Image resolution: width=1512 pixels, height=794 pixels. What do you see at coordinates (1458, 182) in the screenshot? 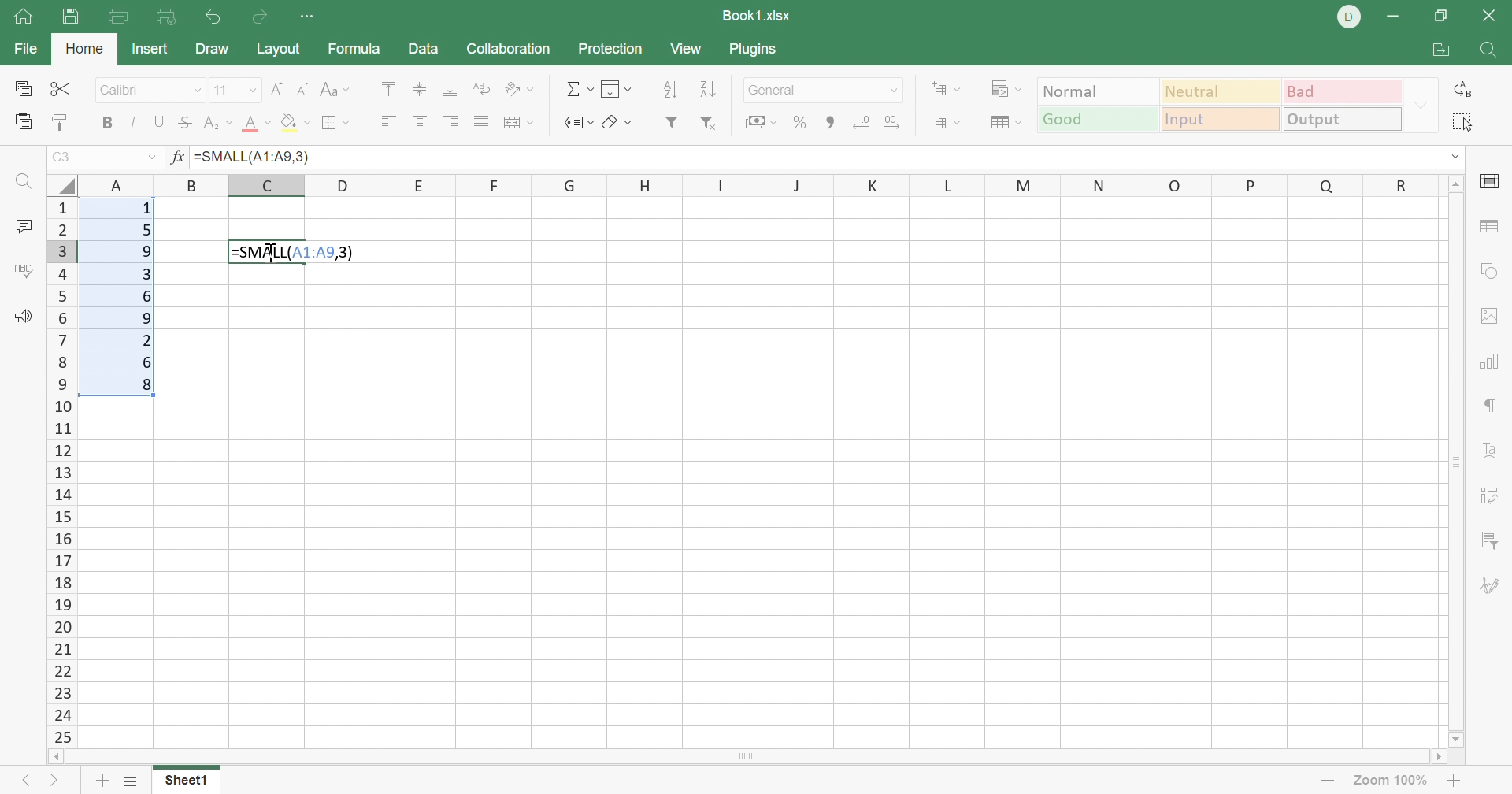
I see `Scroll up` at bounding box center [1458, 182].